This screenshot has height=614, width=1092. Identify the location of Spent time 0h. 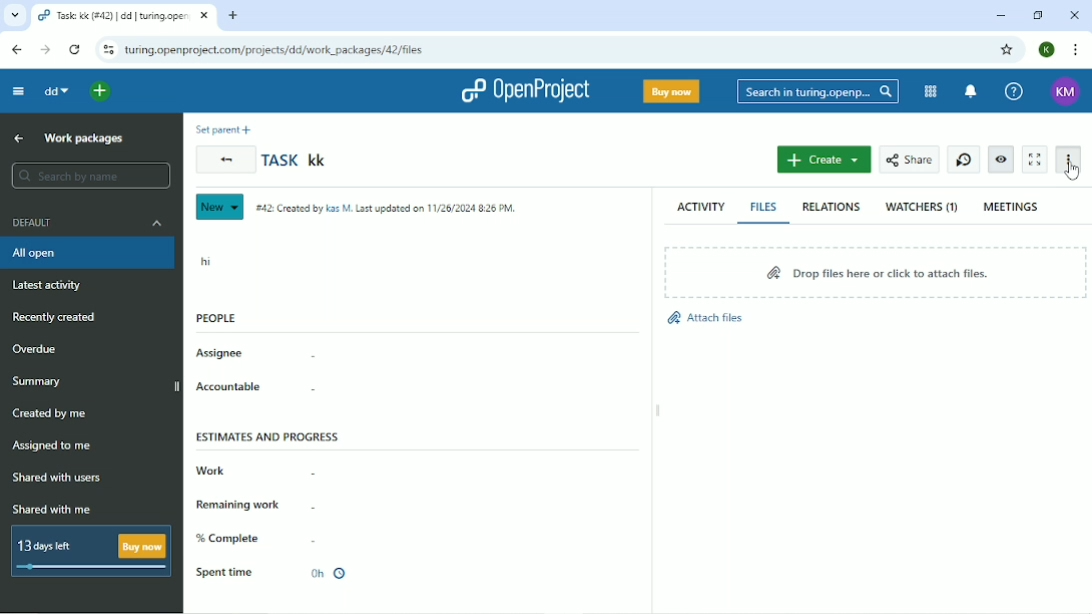
(274, 573).